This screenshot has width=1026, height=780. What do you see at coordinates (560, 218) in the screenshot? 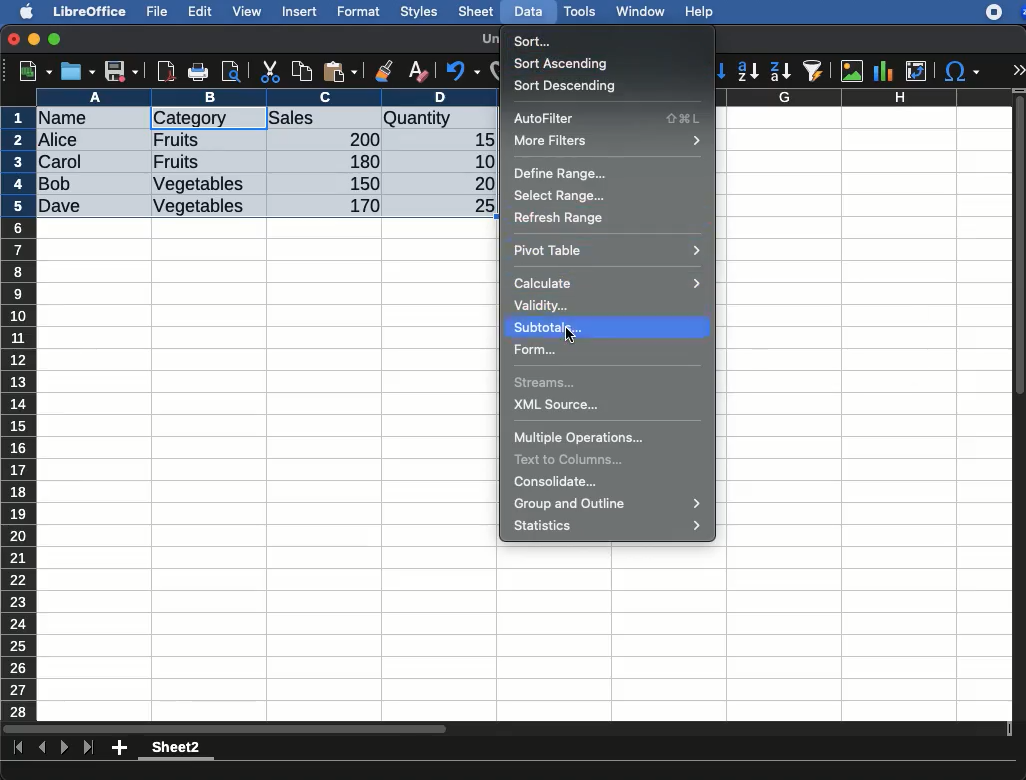
I see `refresh range` at bounding box center [560, 218].